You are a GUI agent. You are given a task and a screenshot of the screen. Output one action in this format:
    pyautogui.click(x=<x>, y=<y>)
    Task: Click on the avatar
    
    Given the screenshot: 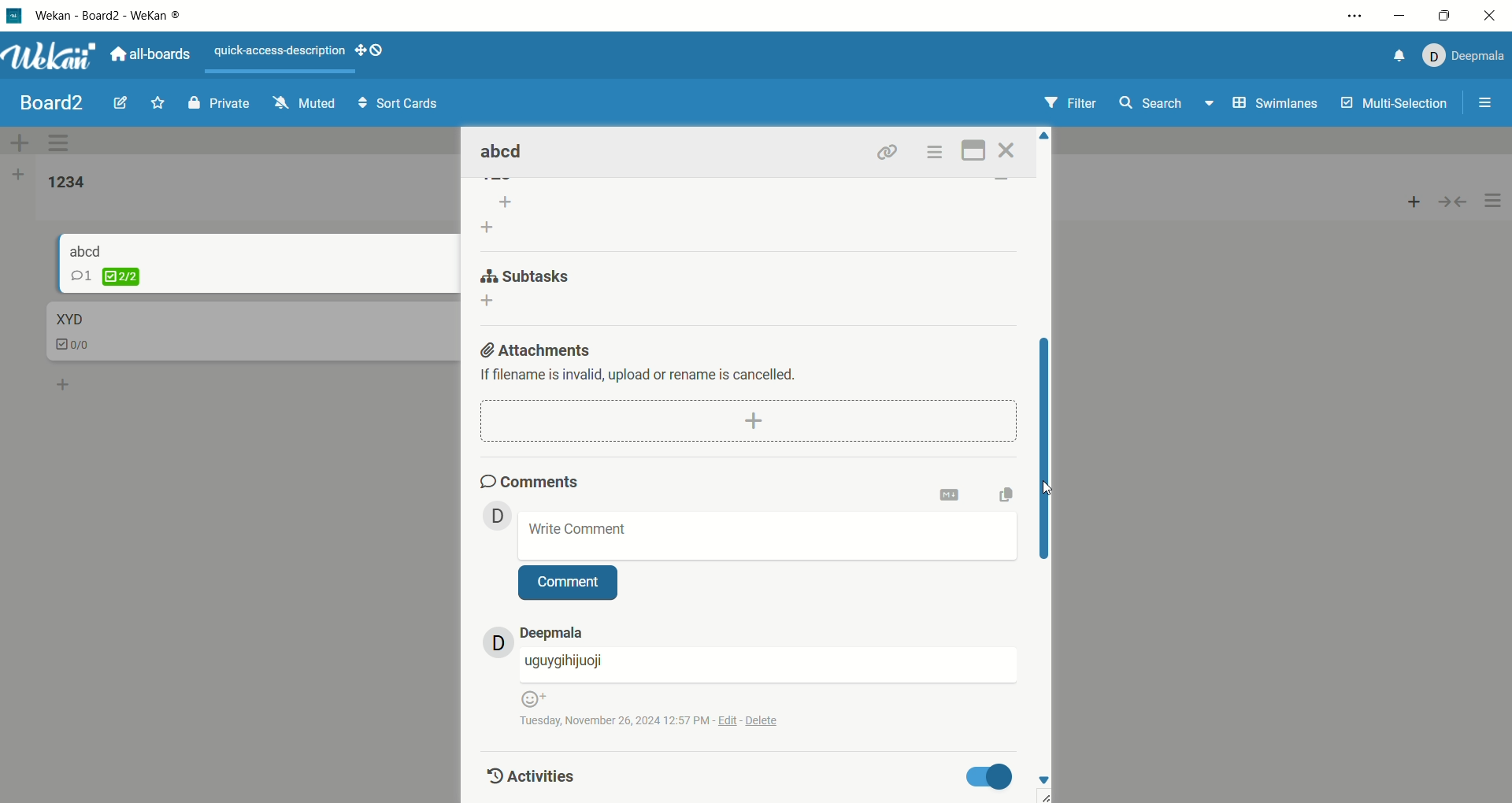 What is the action you would take?
    pyautogui.click(x=498, y=641)
    